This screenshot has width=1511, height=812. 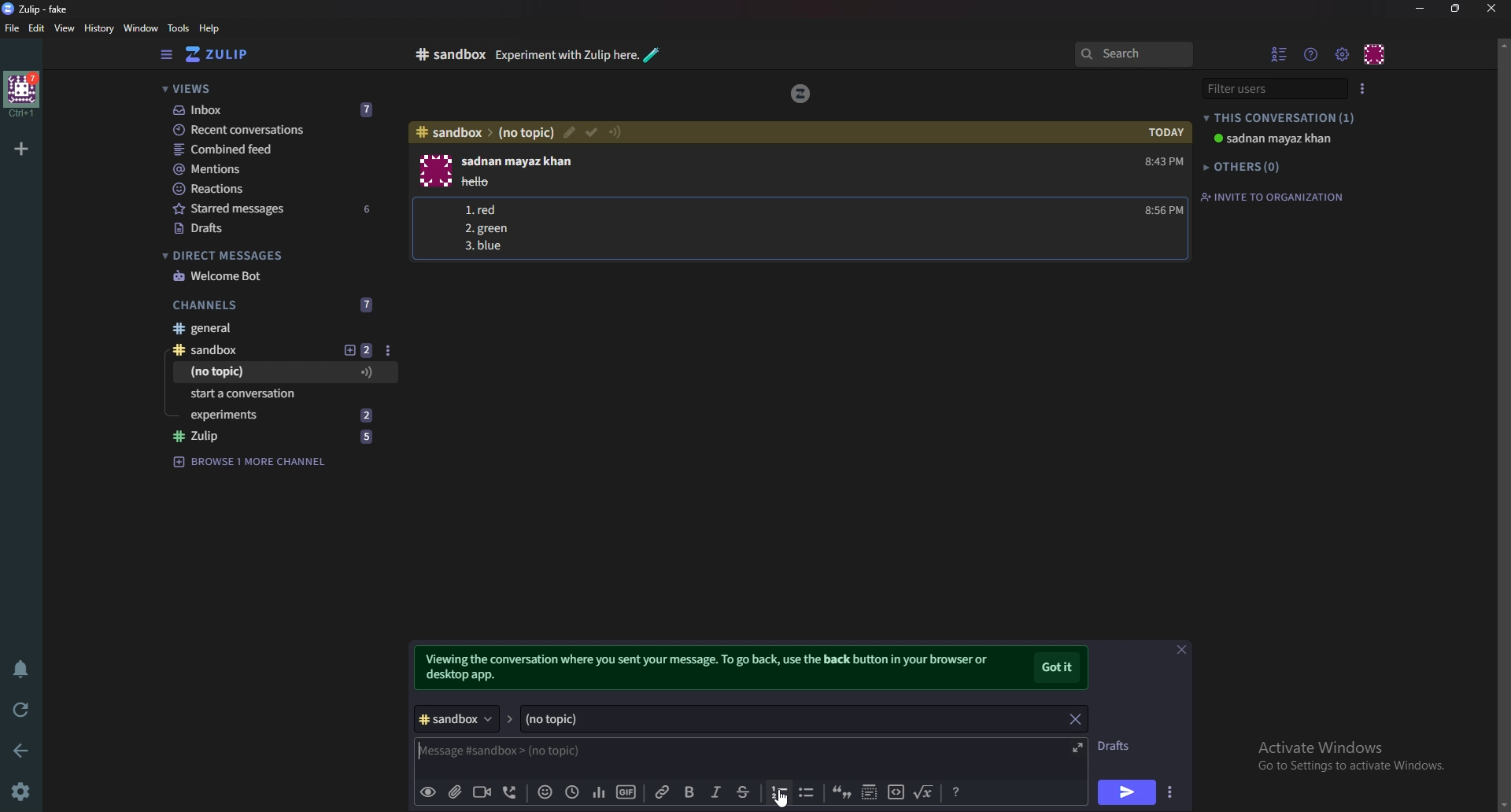 What do you see at coordinates (771, 55) in the screenshot?
I see `Help` at bounding box center [771, 55].